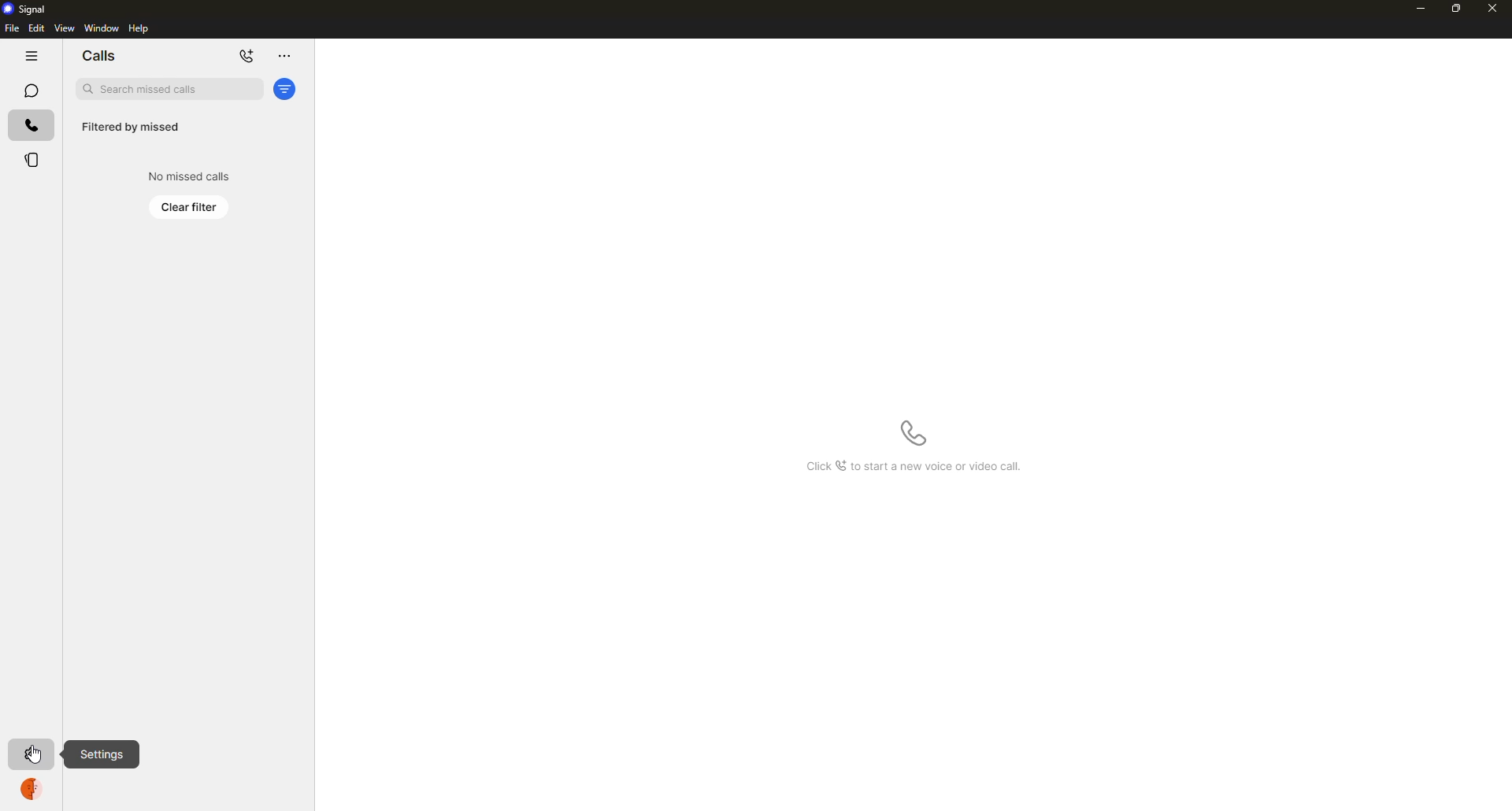  I want to click on more, so click(283, 56).